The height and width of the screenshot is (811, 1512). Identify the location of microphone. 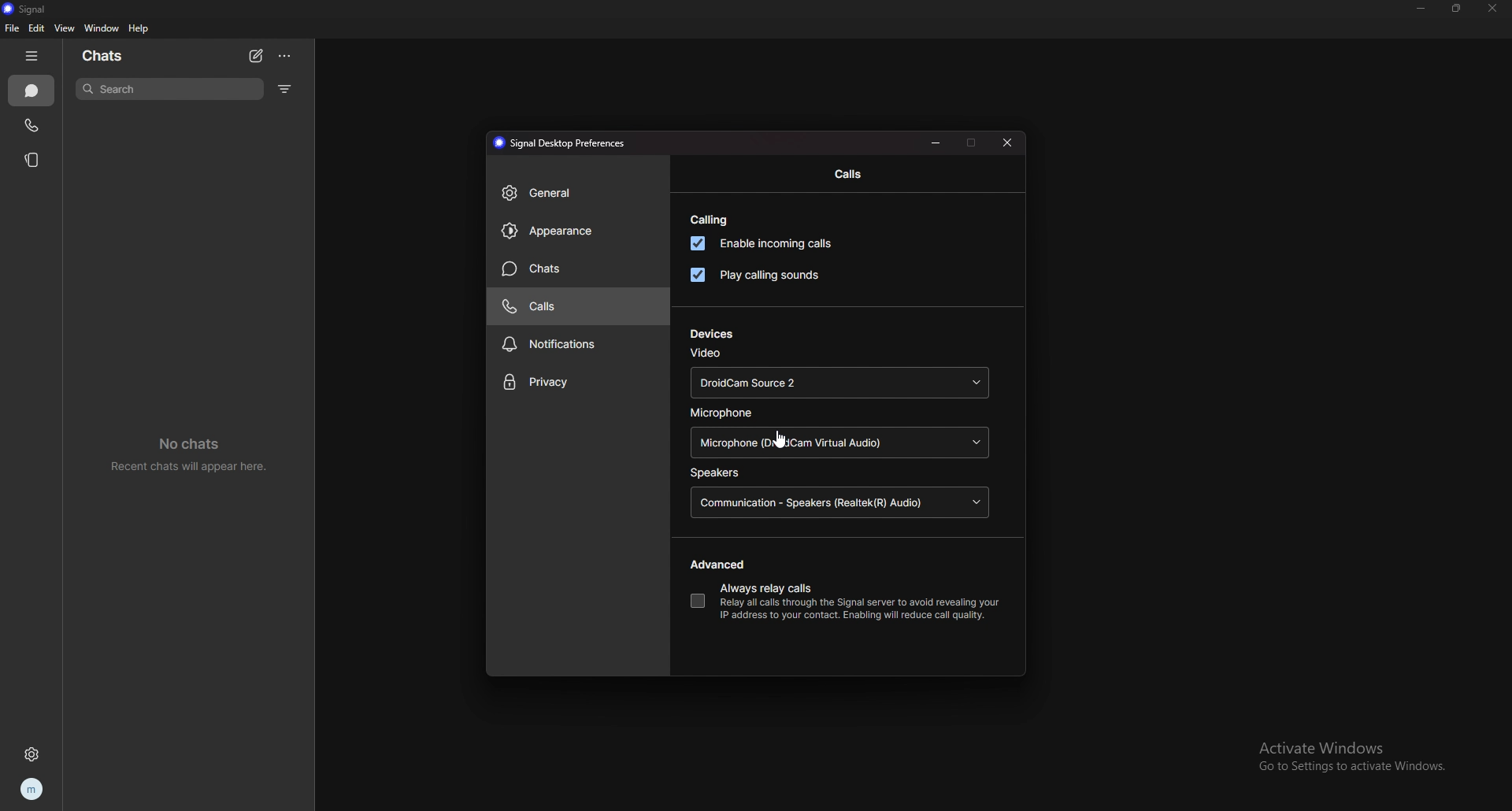
(726, 413).